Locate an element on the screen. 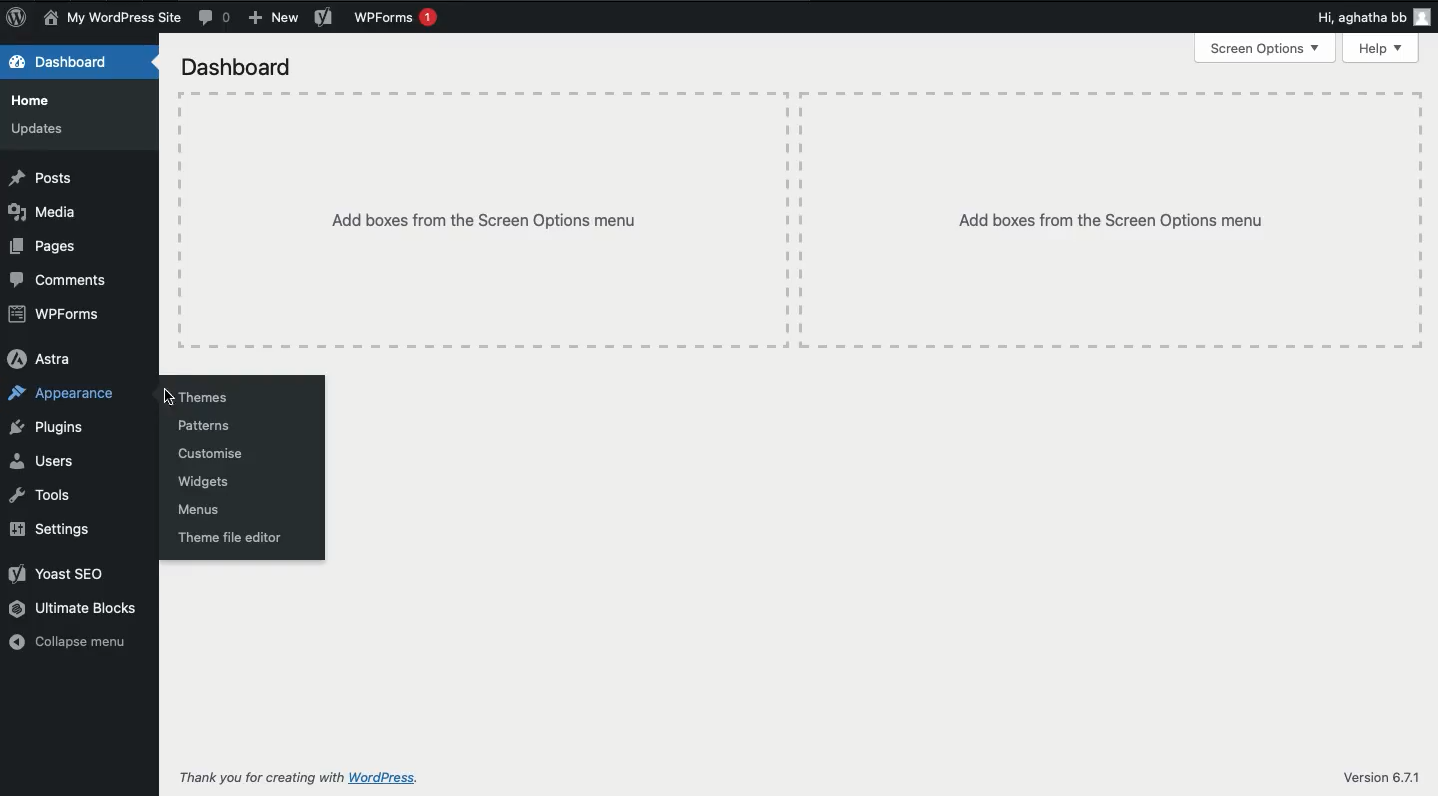 The image size is (1438, 796). Add boxes from the screen options menu is located at coordinates (483, 220).